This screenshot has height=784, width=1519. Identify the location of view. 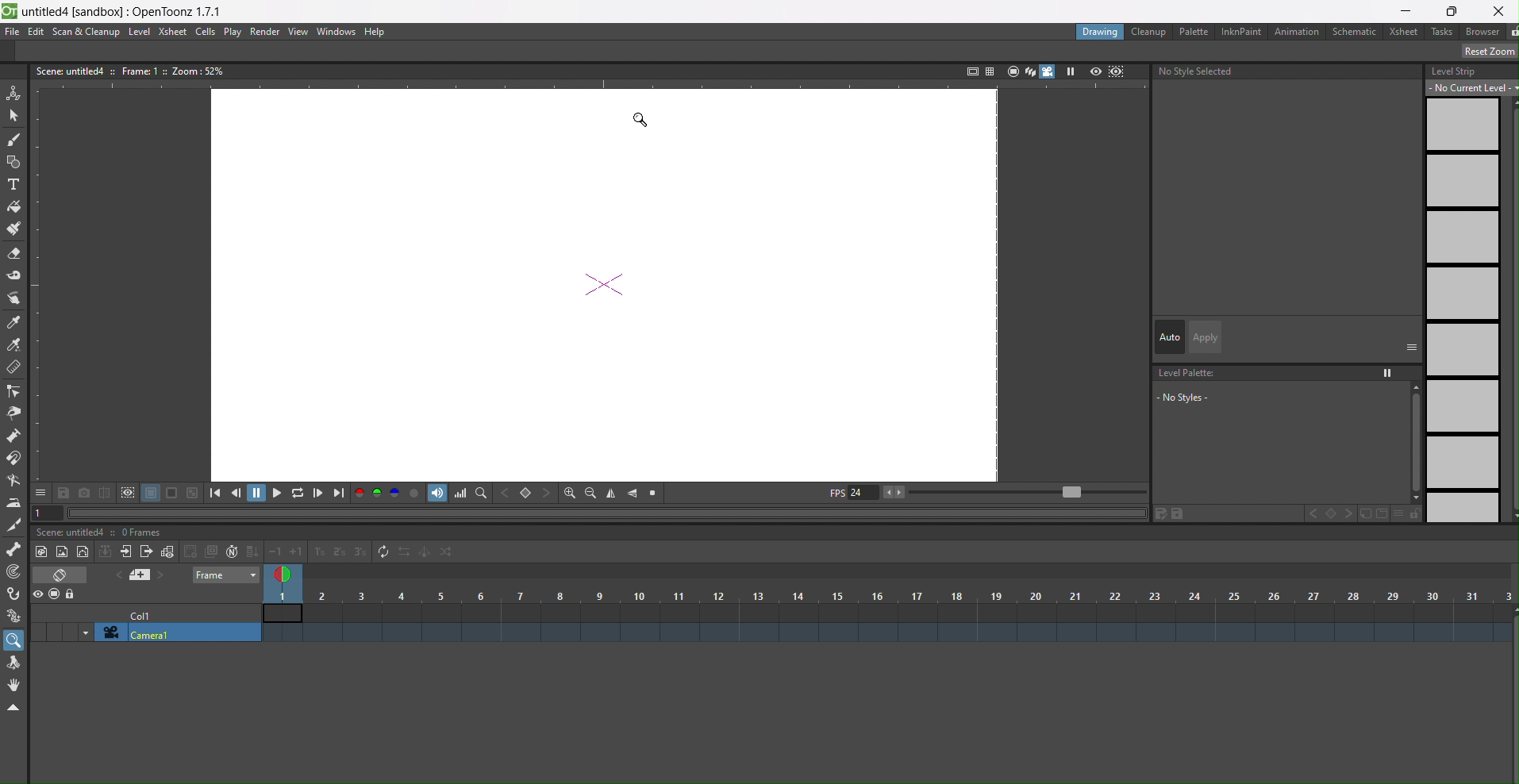
(298, 32).